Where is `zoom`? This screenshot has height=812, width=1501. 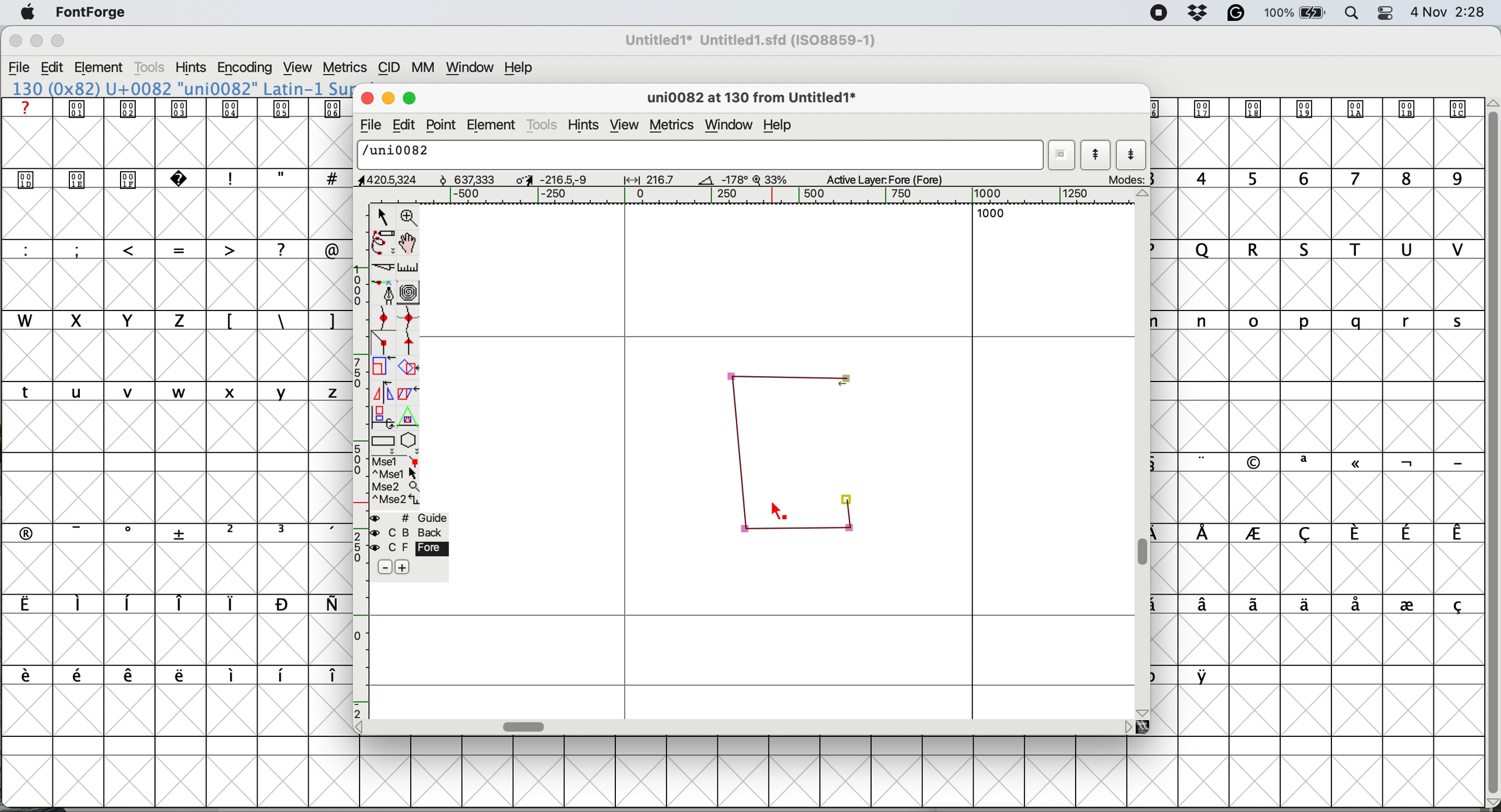 zoom is located at coordinates (410, 216).